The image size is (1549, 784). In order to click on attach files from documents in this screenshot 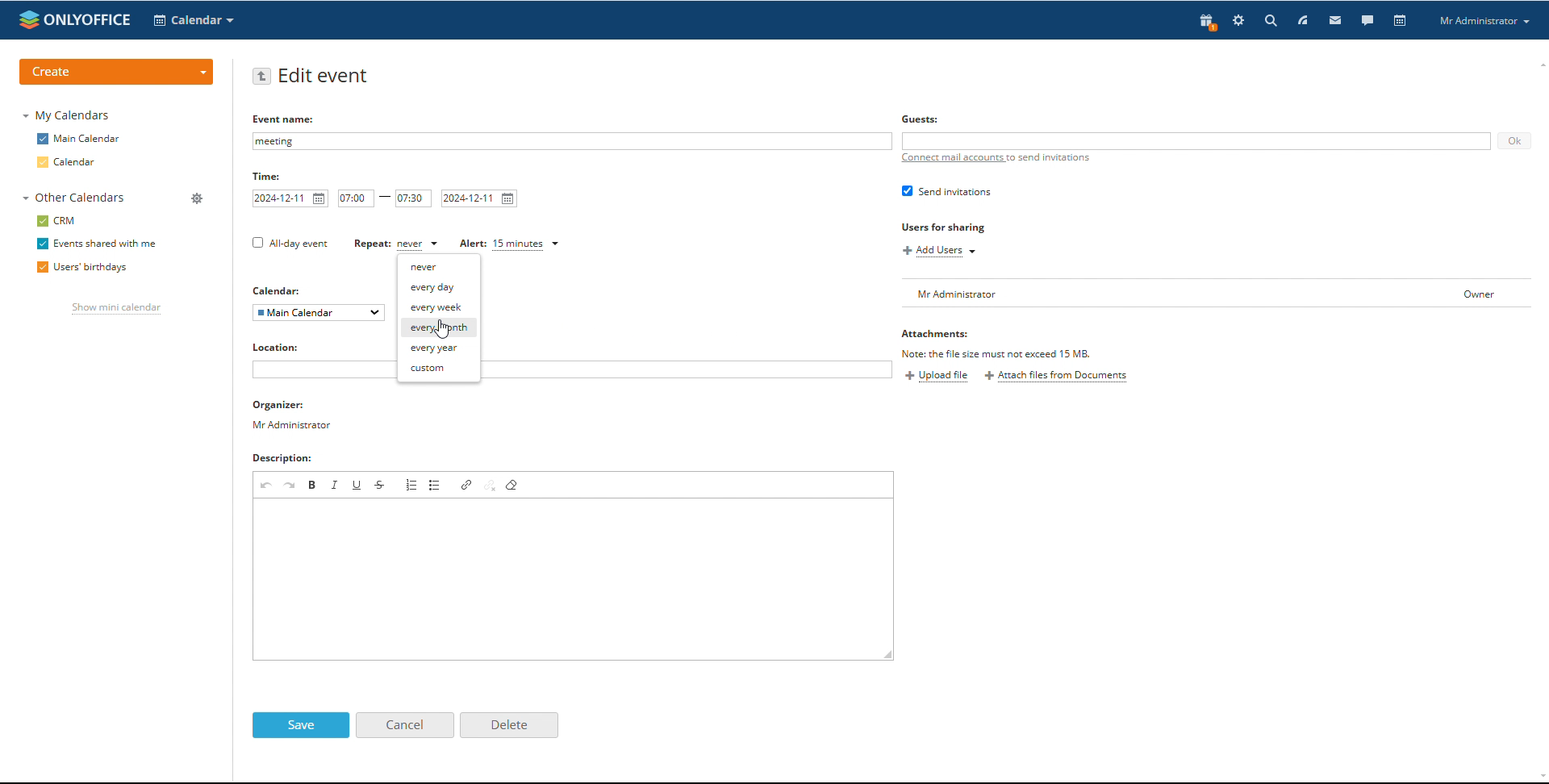, I will do `click(1056, 377)`.